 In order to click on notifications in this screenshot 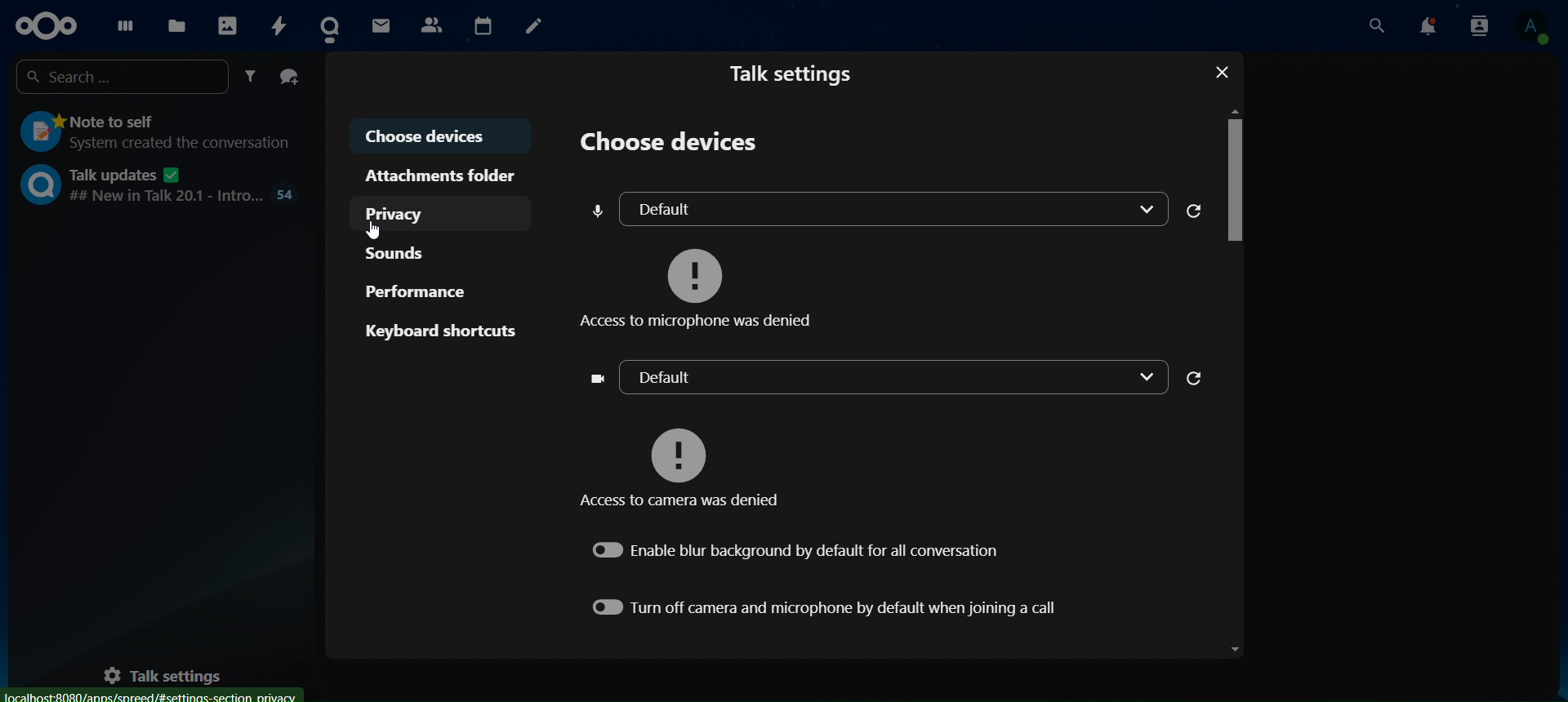, I will do `click(1429, 26)`.